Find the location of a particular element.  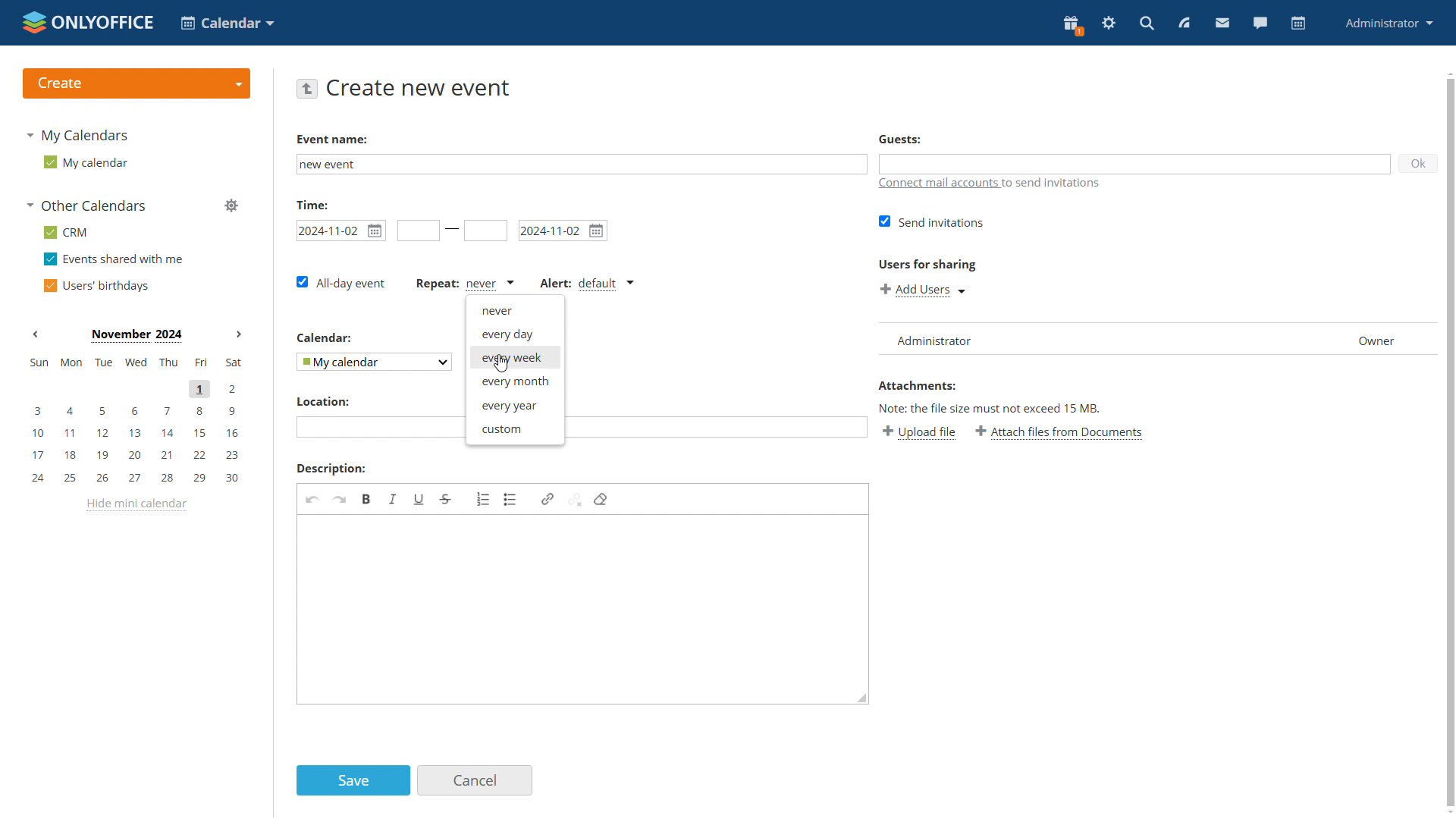

insert/remove bulleted list is located at coordinates (510, 499).